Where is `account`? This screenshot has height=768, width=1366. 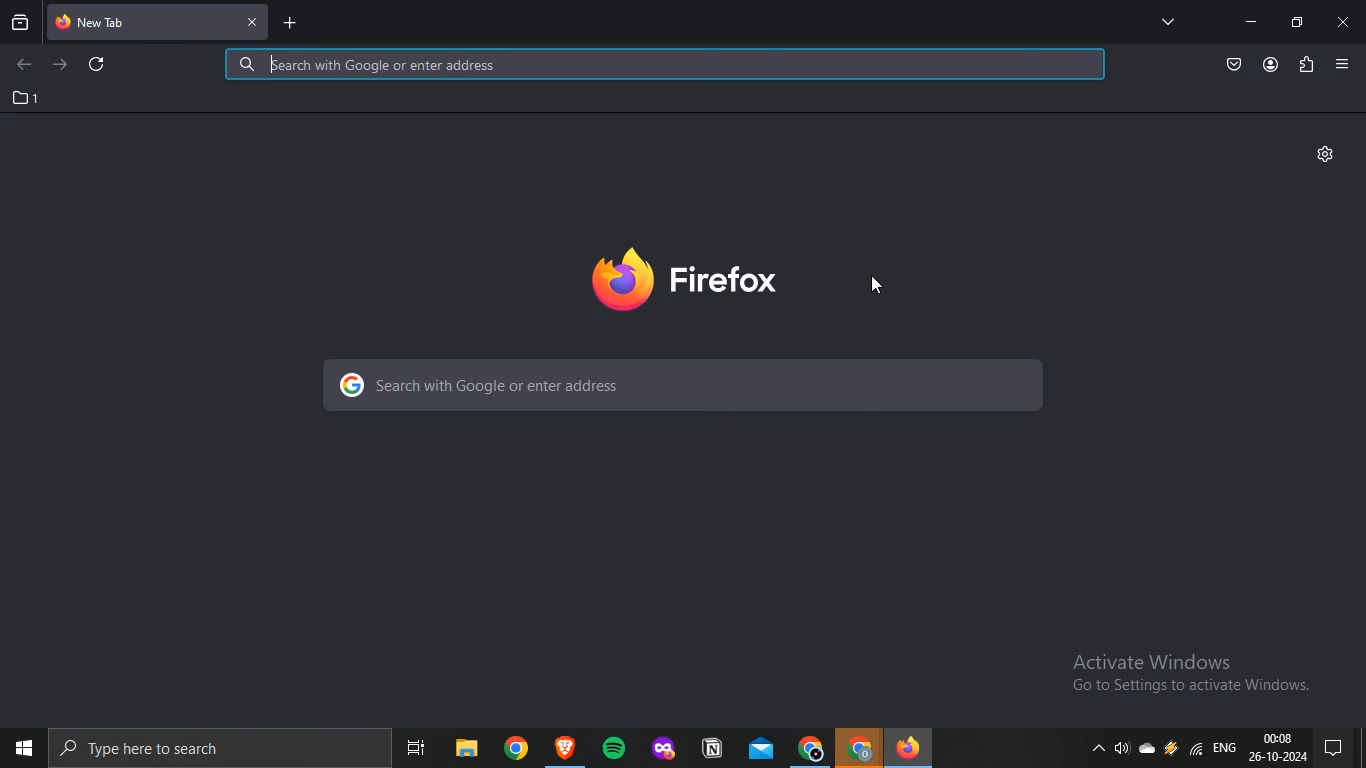
account is located at coordinates (1271, 65).